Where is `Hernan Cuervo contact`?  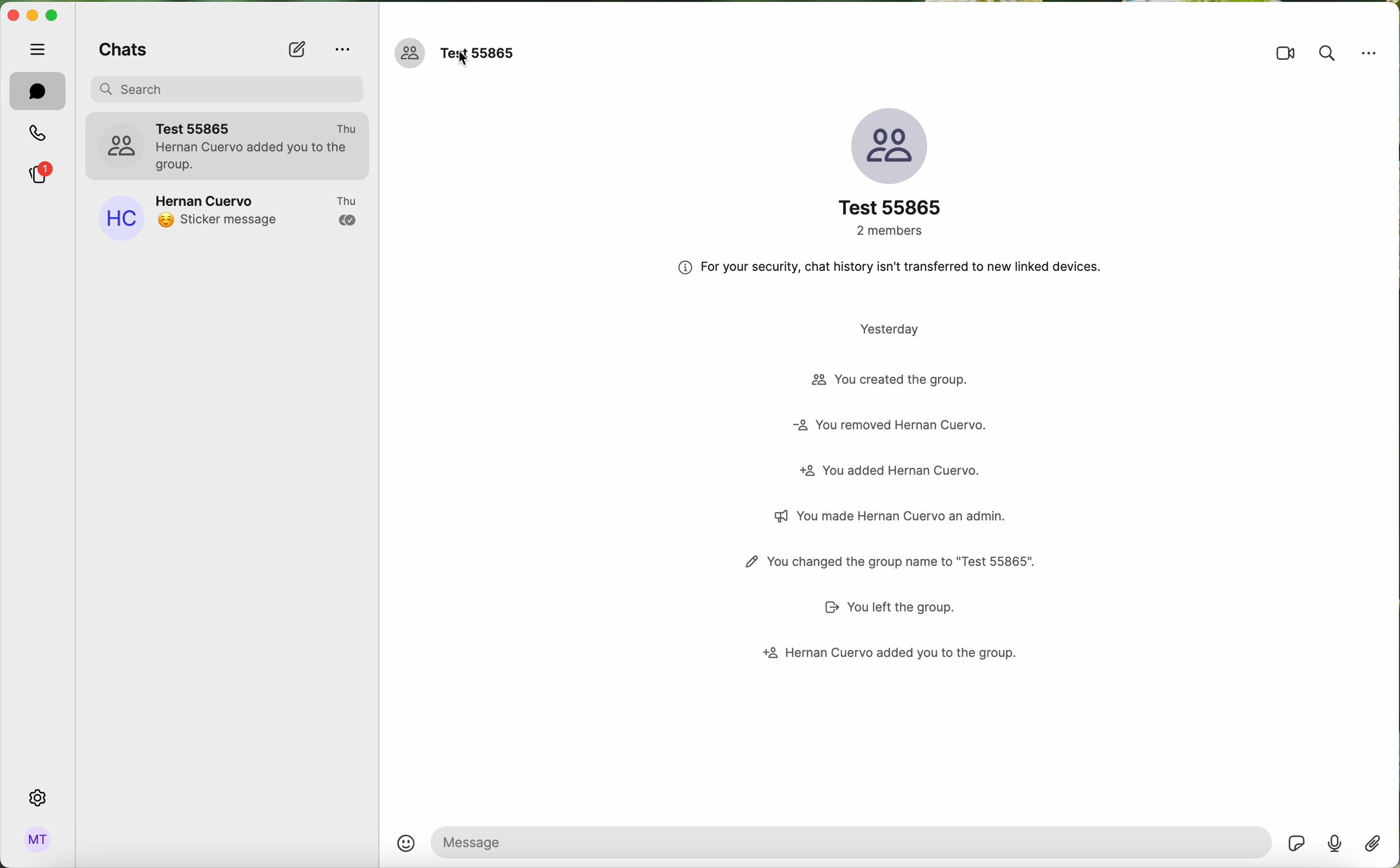 Hernan Cuervo contact is located at coordinates (227, 215).